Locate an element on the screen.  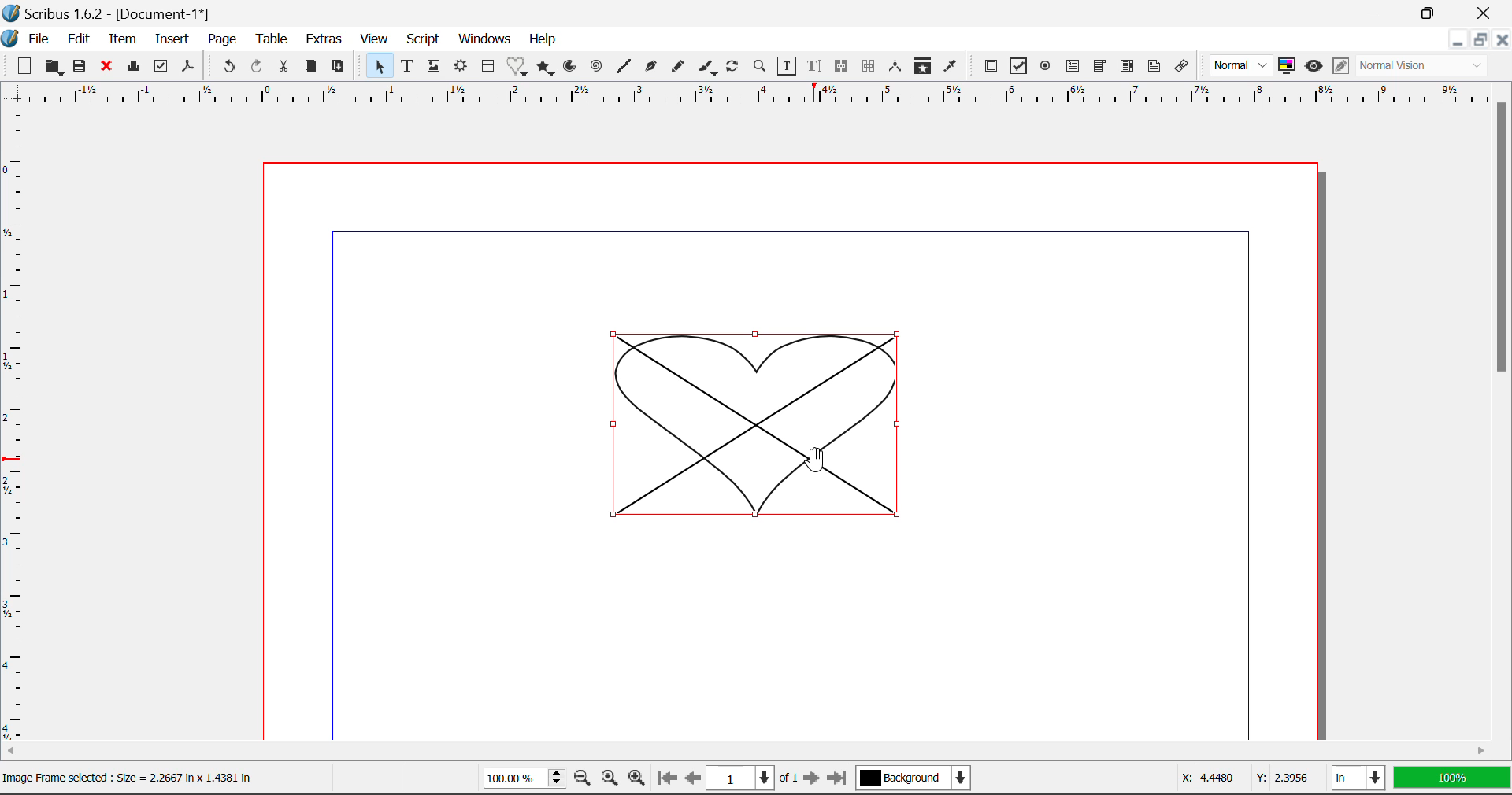
Text Annotation is located at coordinates (1153, 67).